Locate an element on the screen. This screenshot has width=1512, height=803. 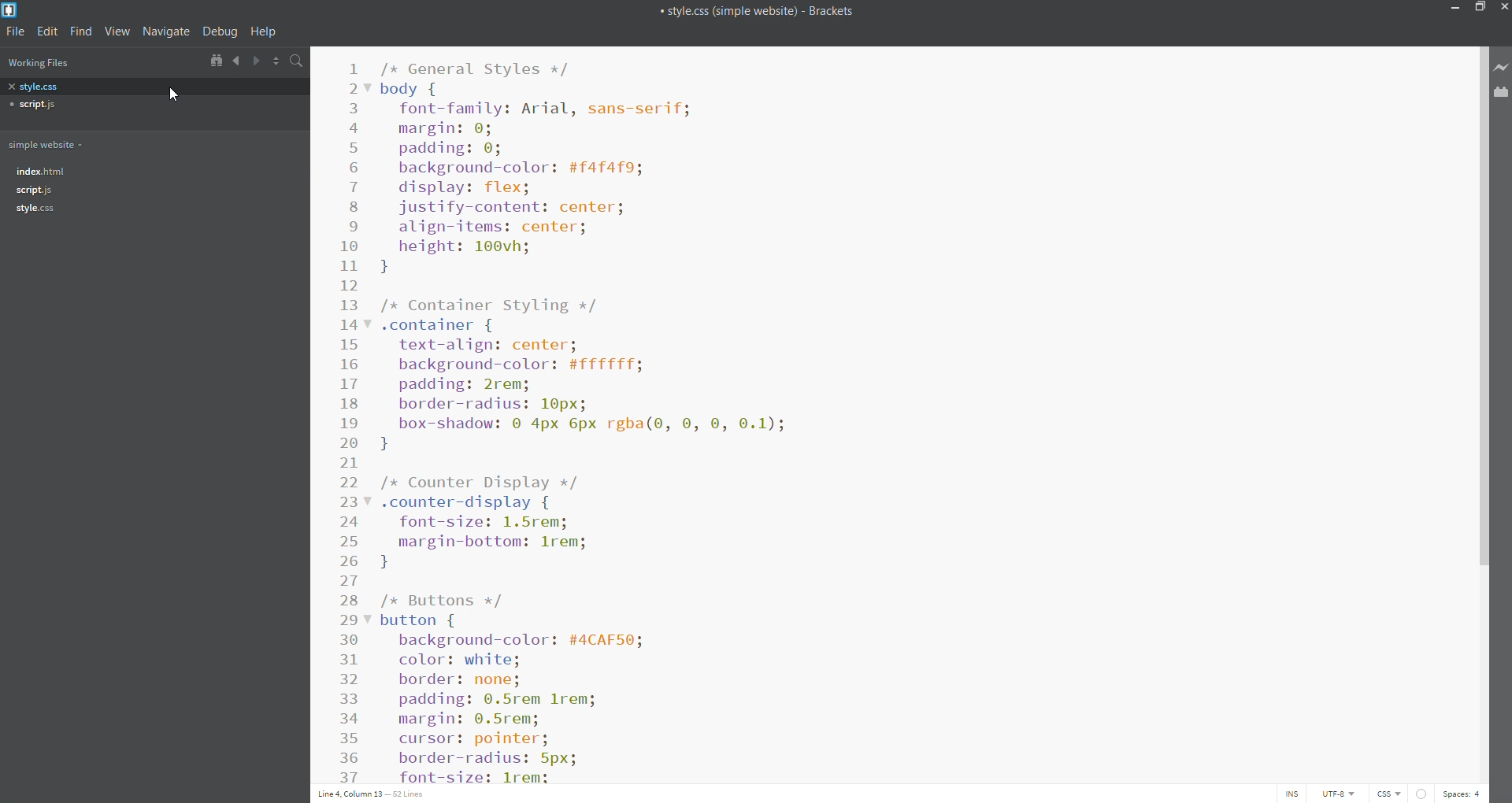
close is located at coordinates (1503, 9).